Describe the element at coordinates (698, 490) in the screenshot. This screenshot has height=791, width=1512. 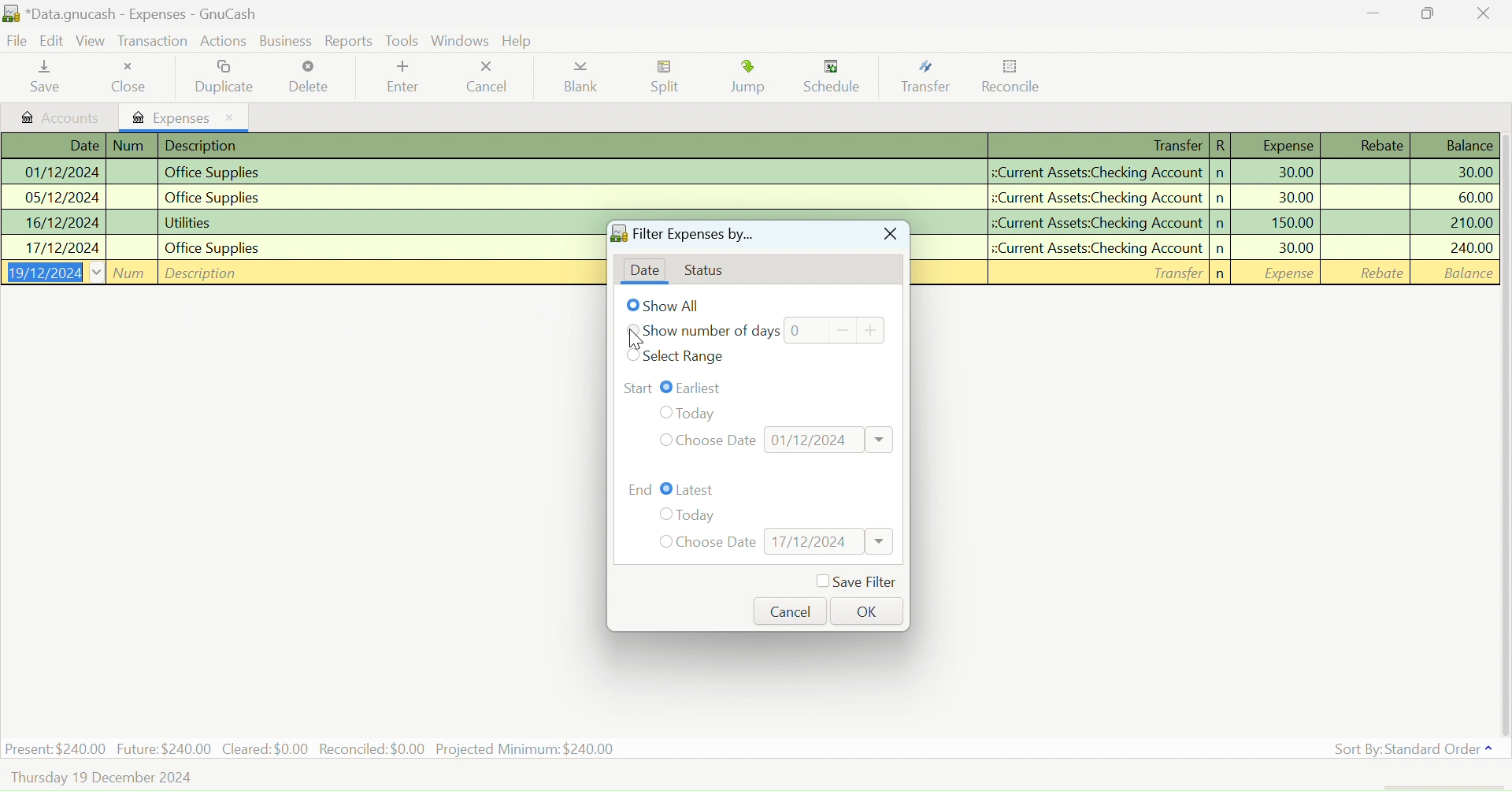
I see `Latest` at that location.